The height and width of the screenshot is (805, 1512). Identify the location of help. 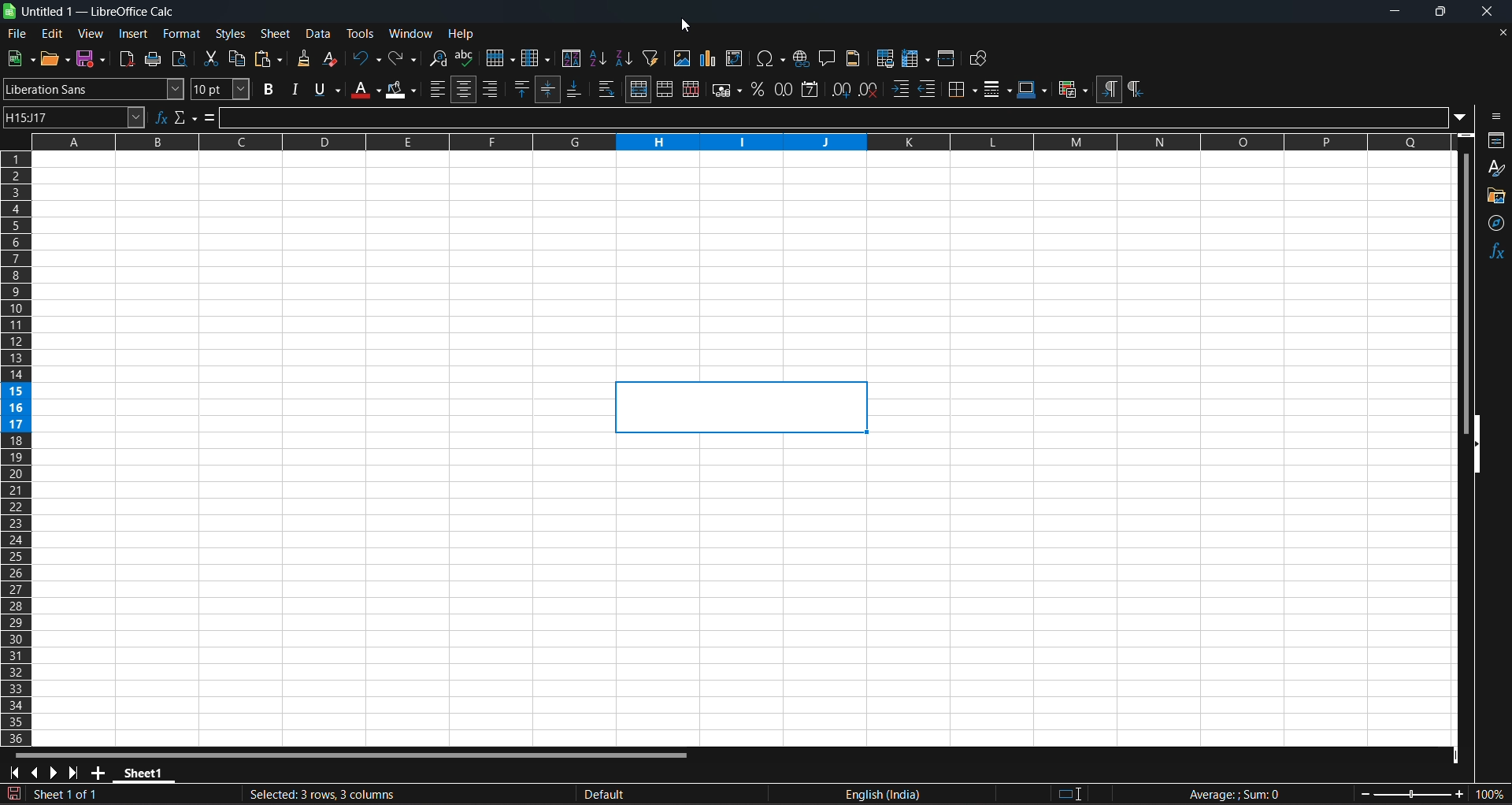
(464, 34).